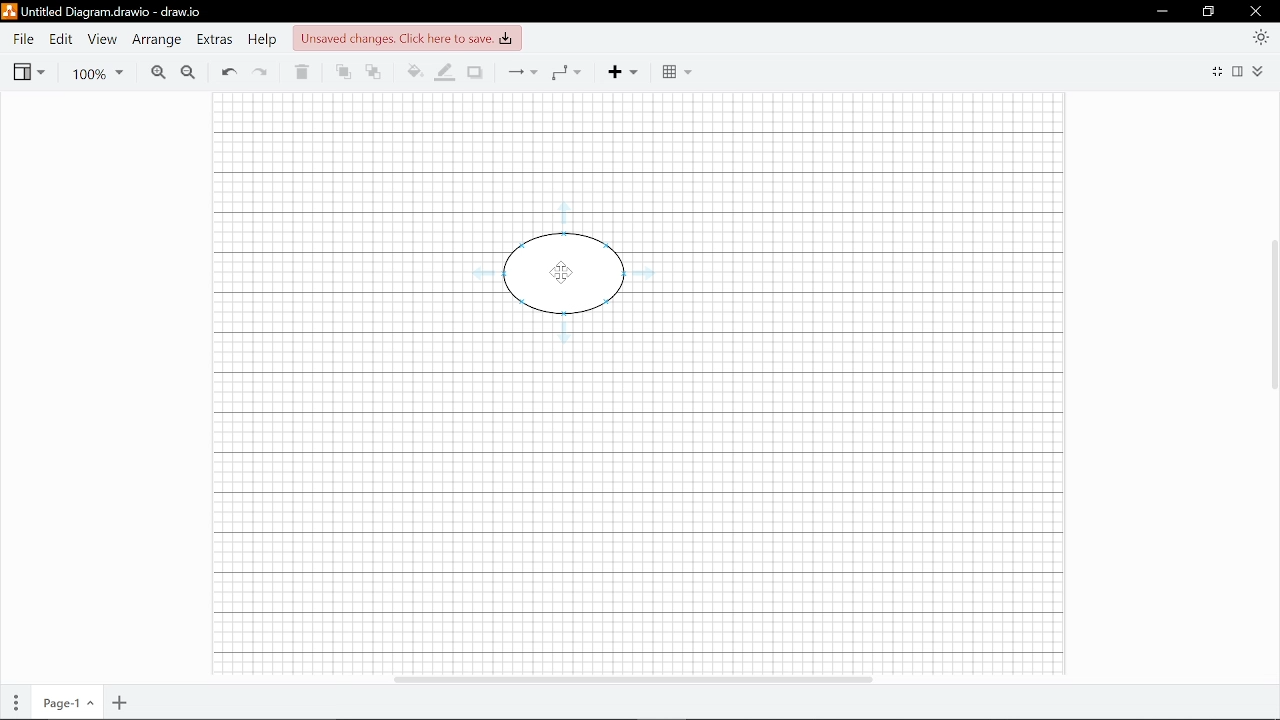 This screenshot has width=1280, height=720. I want to click on Horizontal scrollbar, so click(631, 676).